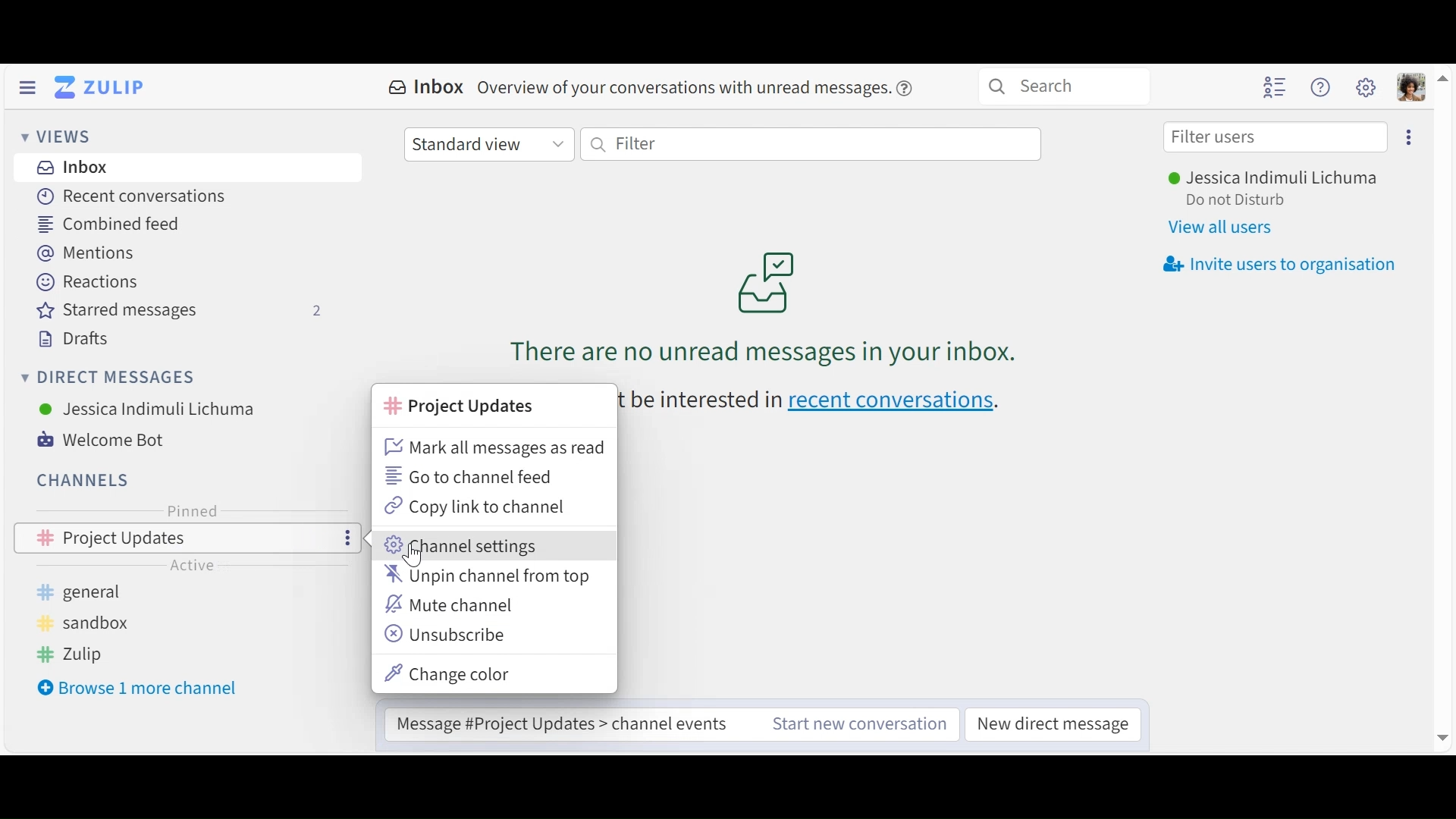  What do you see at coordinates (1279, 262) in the screenshot?
I see `Invite users organisation` at bounding box center [1279, 262].